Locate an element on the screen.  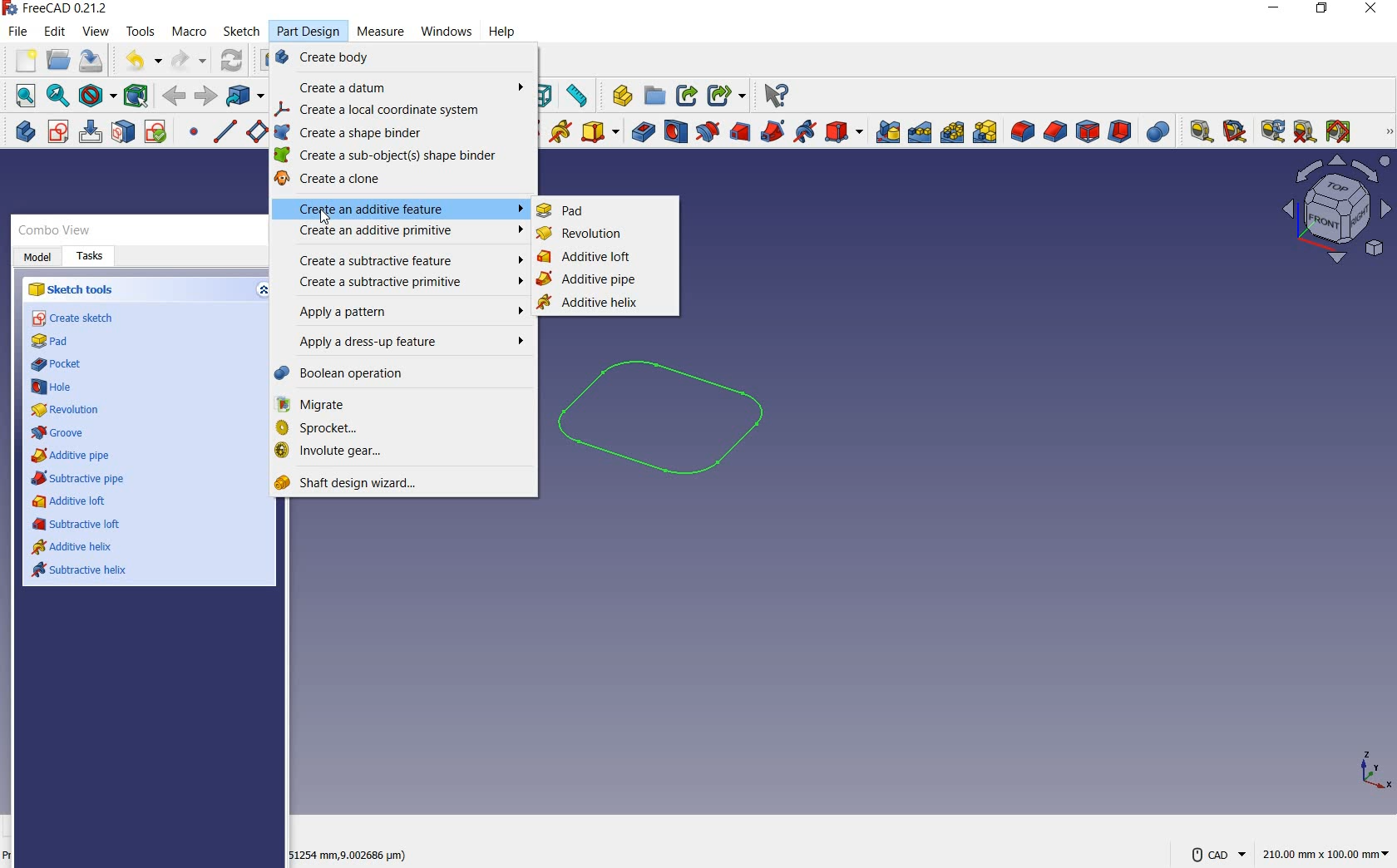
CAD Navigation Style is located at coordinates (1218, 851).